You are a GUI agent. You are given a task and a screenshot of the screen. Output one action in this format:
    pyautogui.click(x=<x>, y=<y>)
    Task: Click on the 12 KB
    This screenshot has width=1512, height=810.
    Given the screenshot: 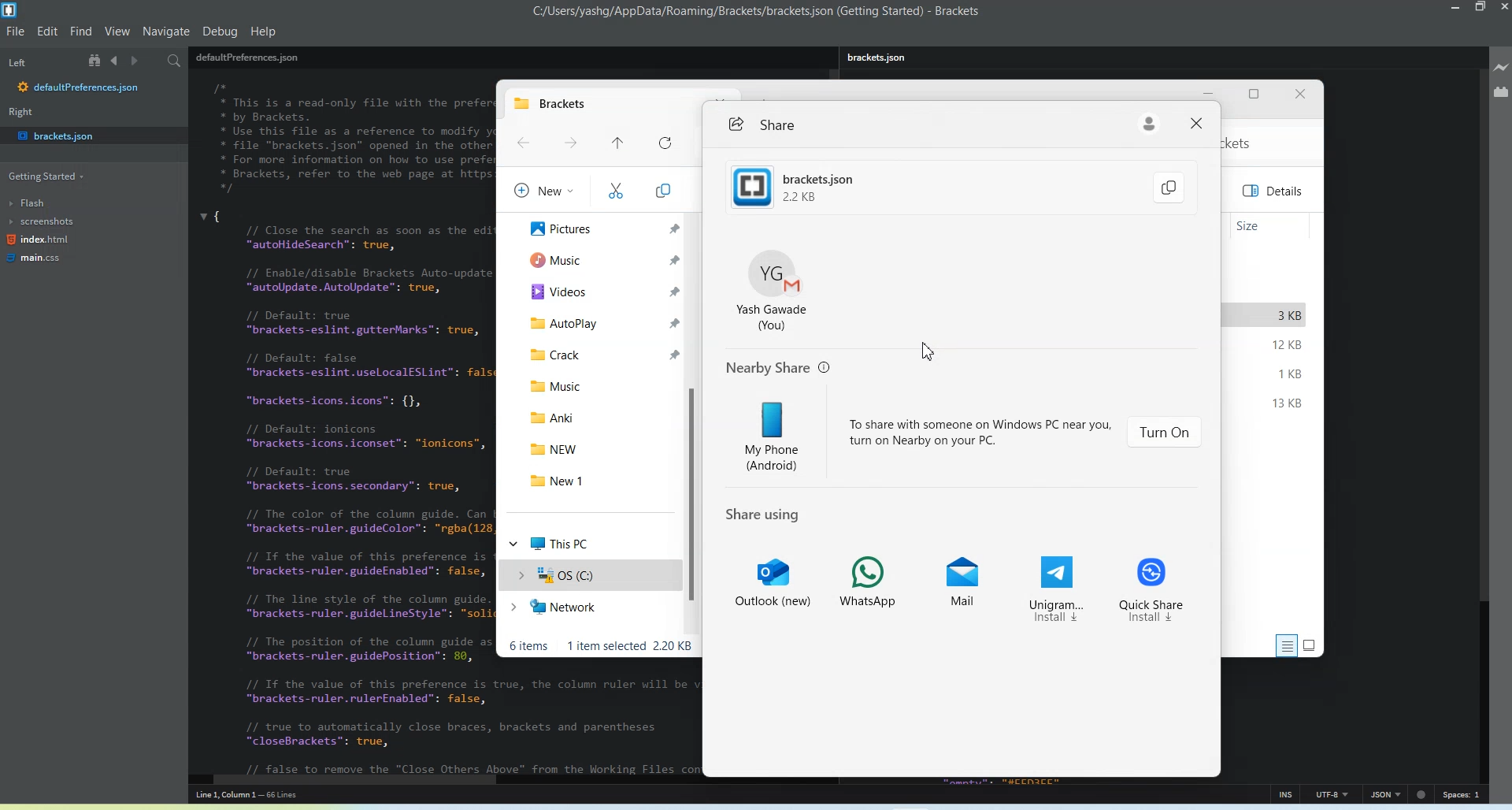 What is the action you would take?
    pyautogui.click(x=1287, y=344)
    